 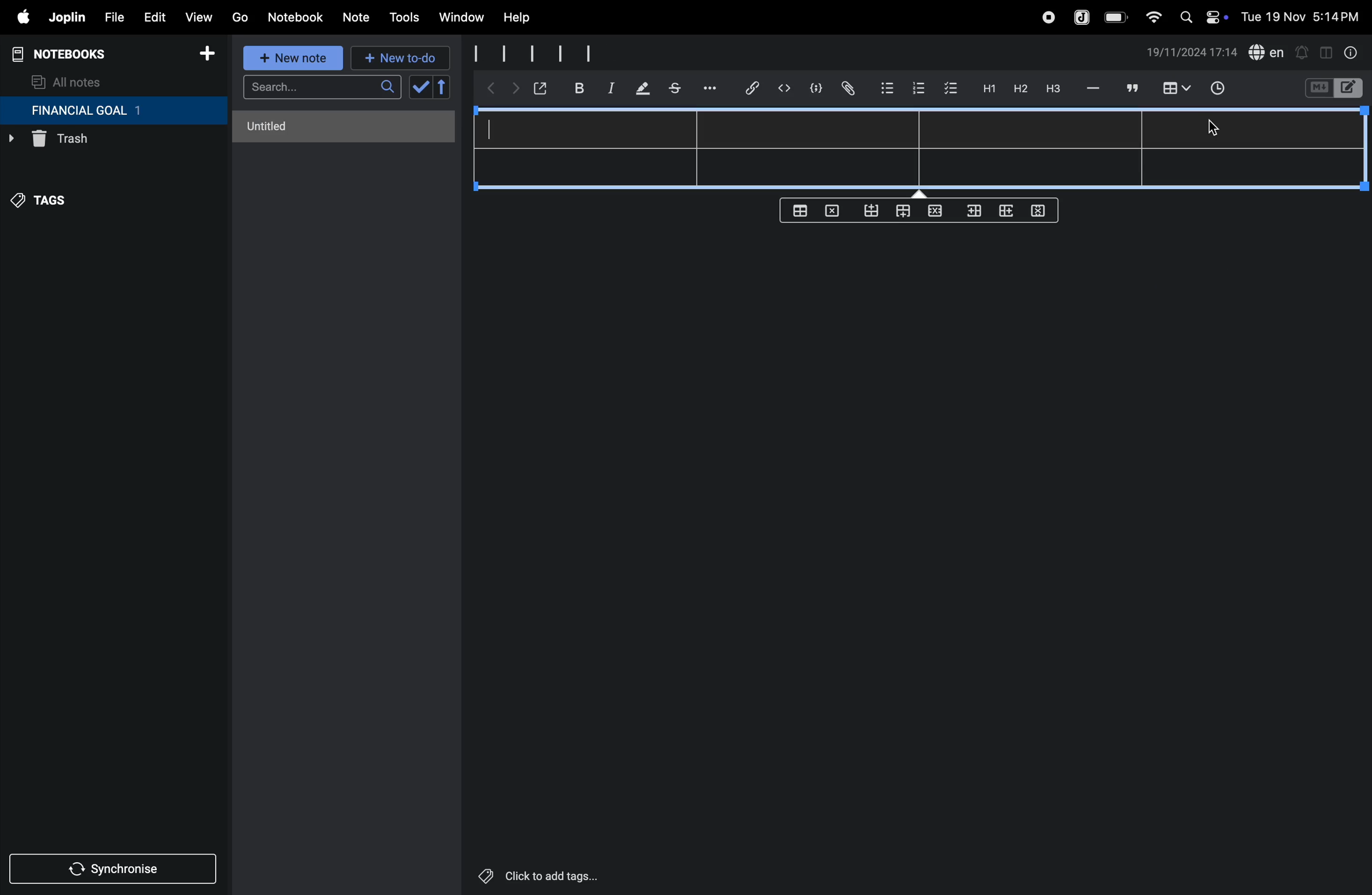 What do you see at coordinates (676, 90) in the screenshot?
I see `stketchbook` at bounding box center [676, 90].